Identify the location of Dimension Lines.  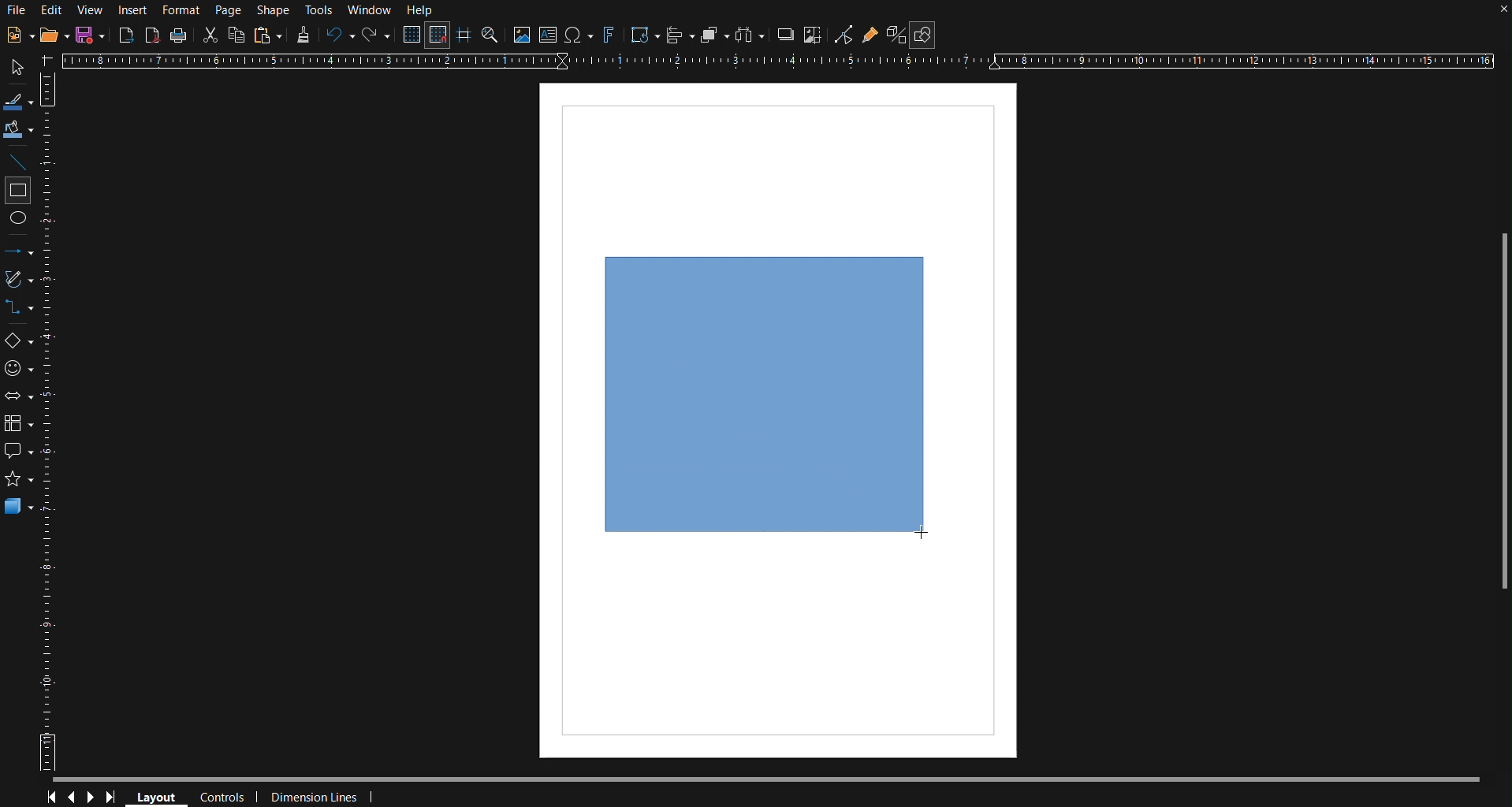
(327, 797).